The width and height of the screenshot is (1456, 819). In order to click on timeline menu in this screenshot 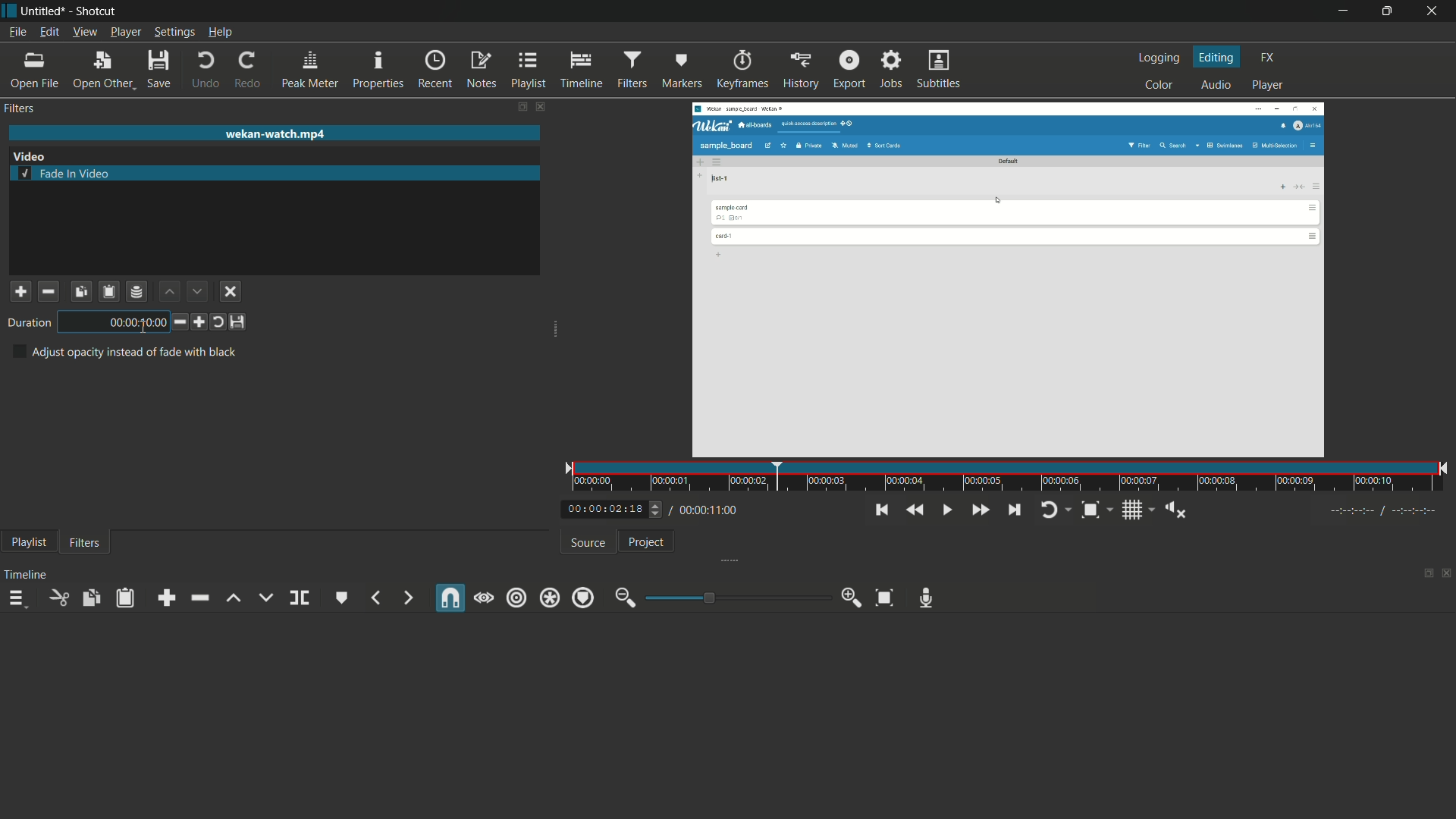, I will do `click(17, 598)`.